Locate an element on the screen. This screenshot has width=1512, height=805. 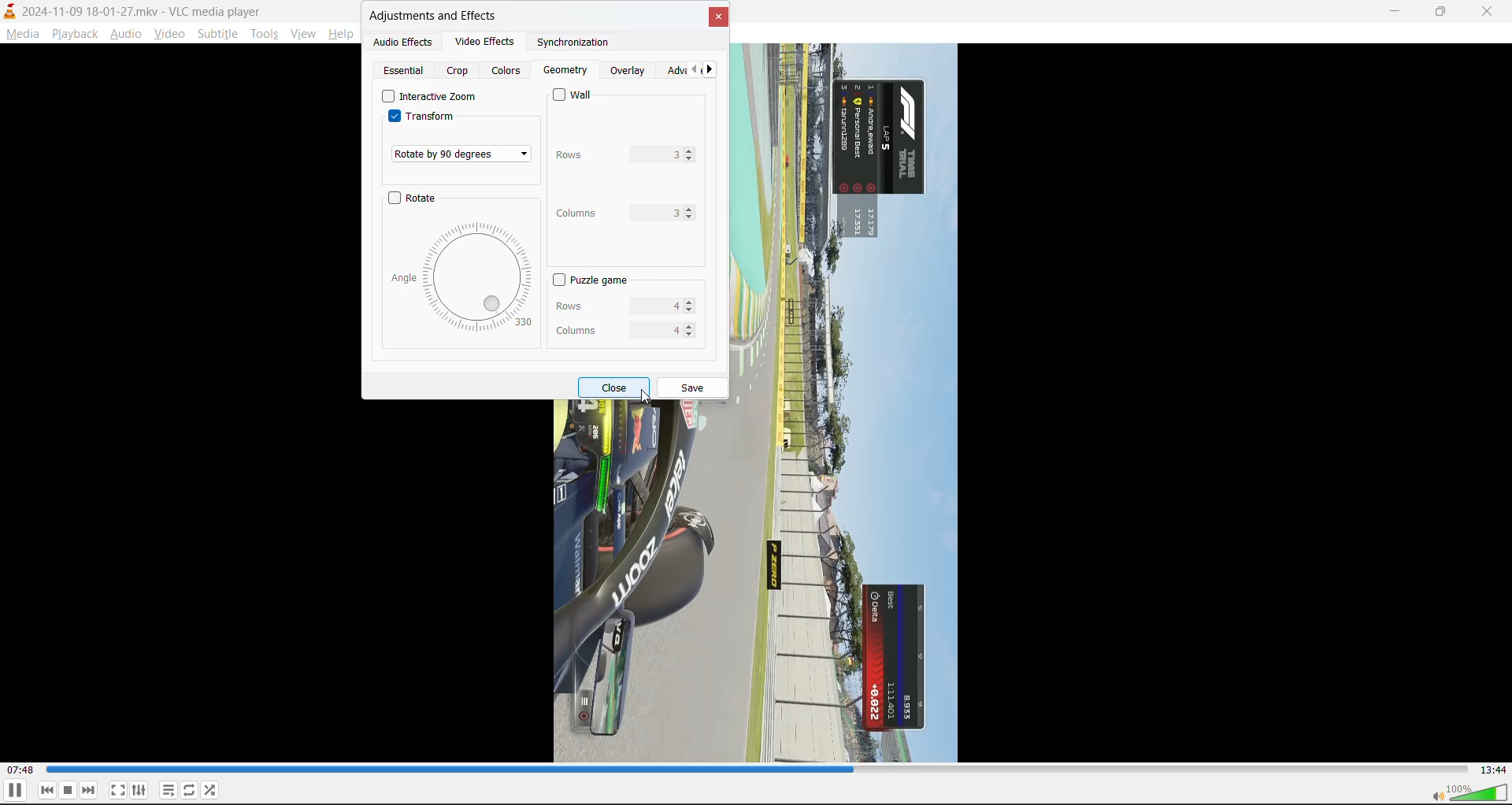
rows is located at coordinates (617, 309).